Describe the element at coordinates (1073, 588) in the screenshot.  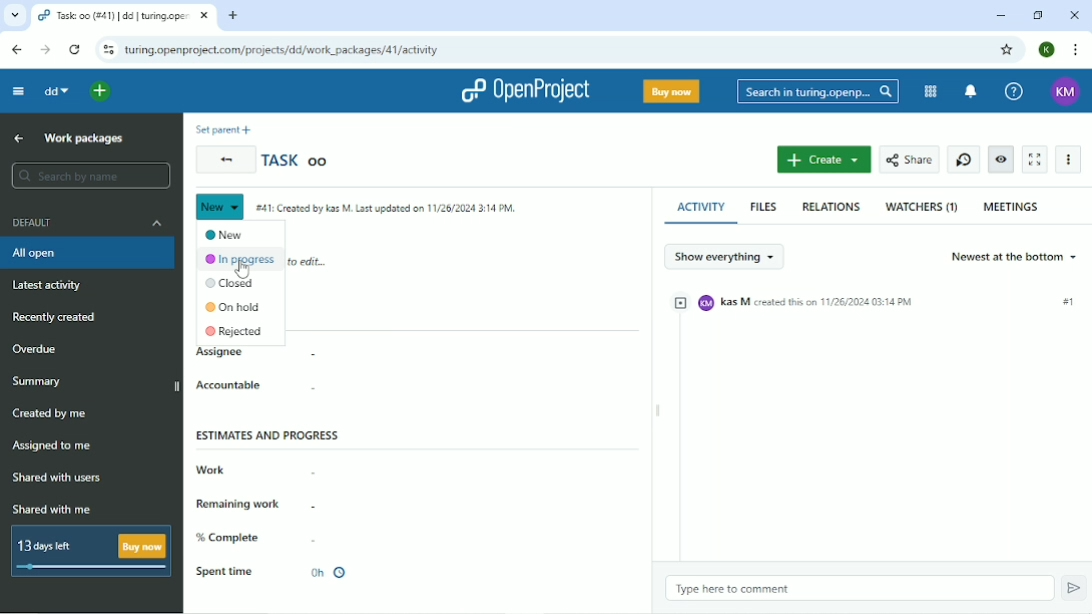
I see `Submit comment` at that location.